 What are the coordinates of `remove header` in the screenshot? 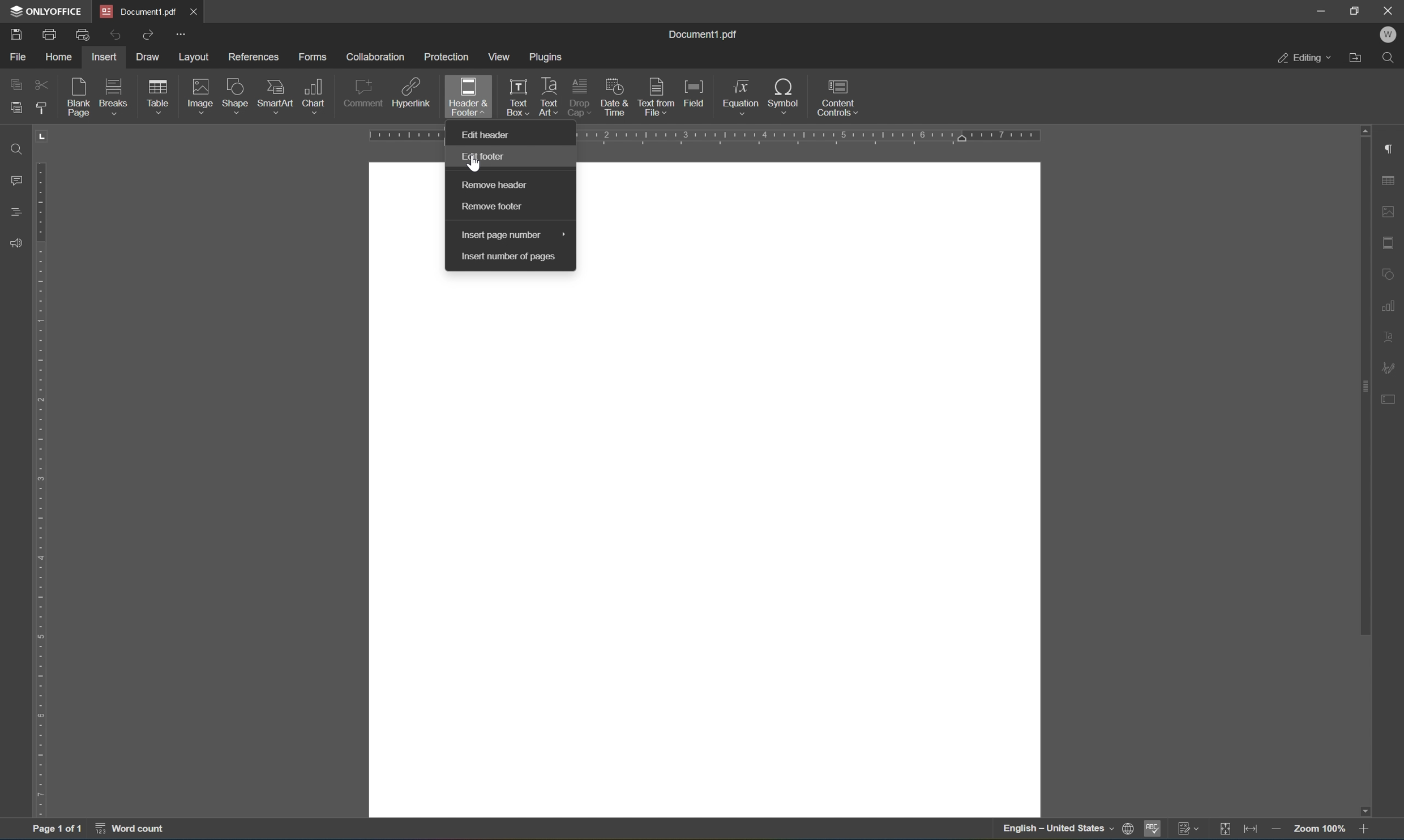 It's located at (497, 185).